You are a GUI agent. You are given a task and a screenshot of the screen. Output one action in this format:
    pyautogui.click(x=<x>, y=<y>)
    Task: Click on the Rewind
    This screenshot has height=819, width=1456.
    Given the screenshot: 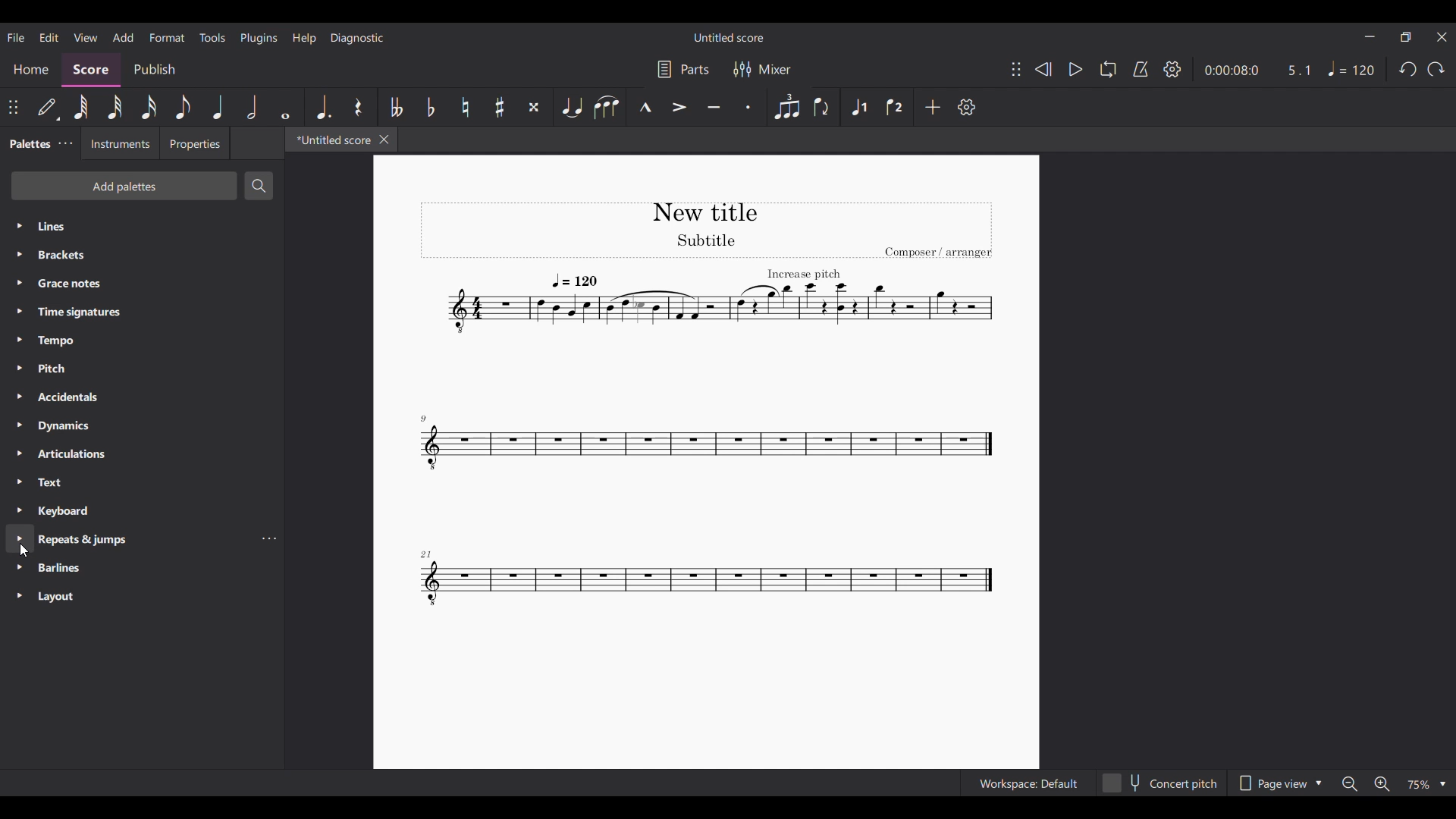 What is the action you would take?
    pyautogui.click(x=1043, y=70)
    